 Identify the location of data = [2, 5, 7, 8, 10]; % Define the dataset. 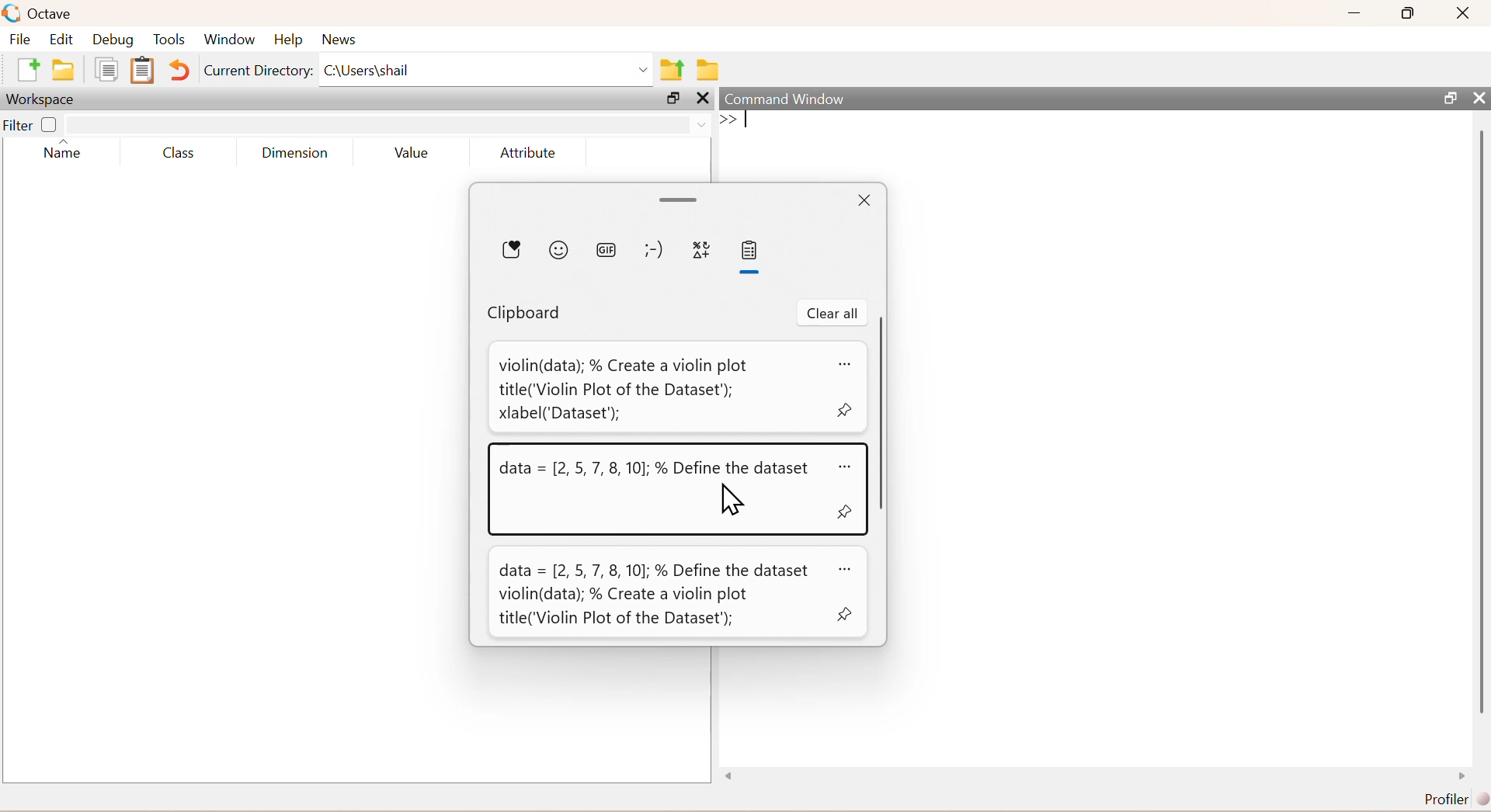
(657, 470).